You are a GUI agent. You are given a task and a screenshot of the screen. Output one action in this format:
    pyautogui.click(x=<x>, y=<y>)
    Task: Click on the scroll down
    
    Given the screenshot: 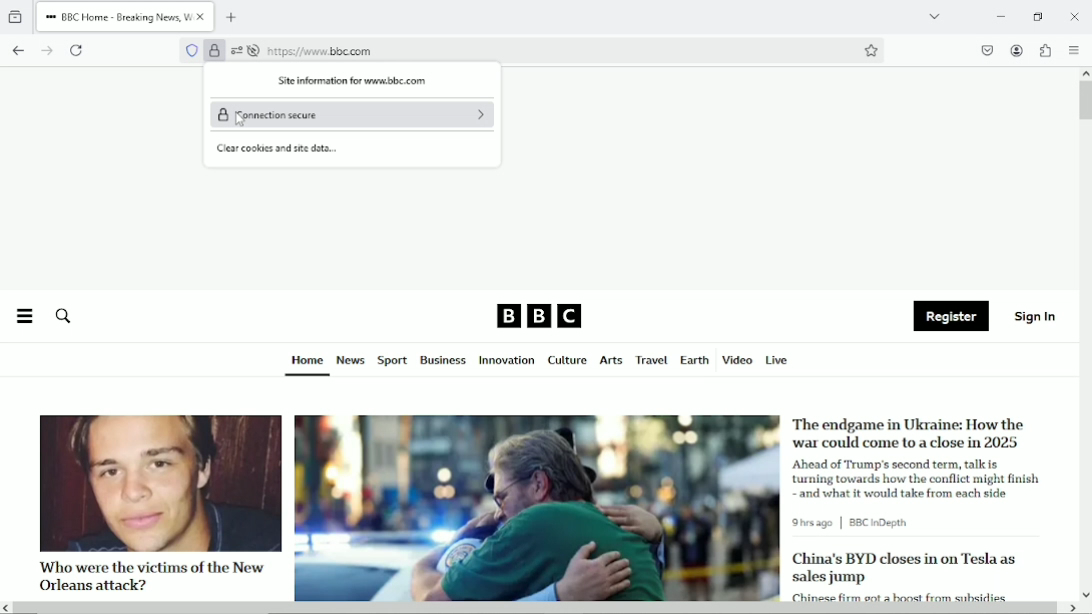 What is the action you would take?
    pyautogui.click(x=1085, y=594)
    